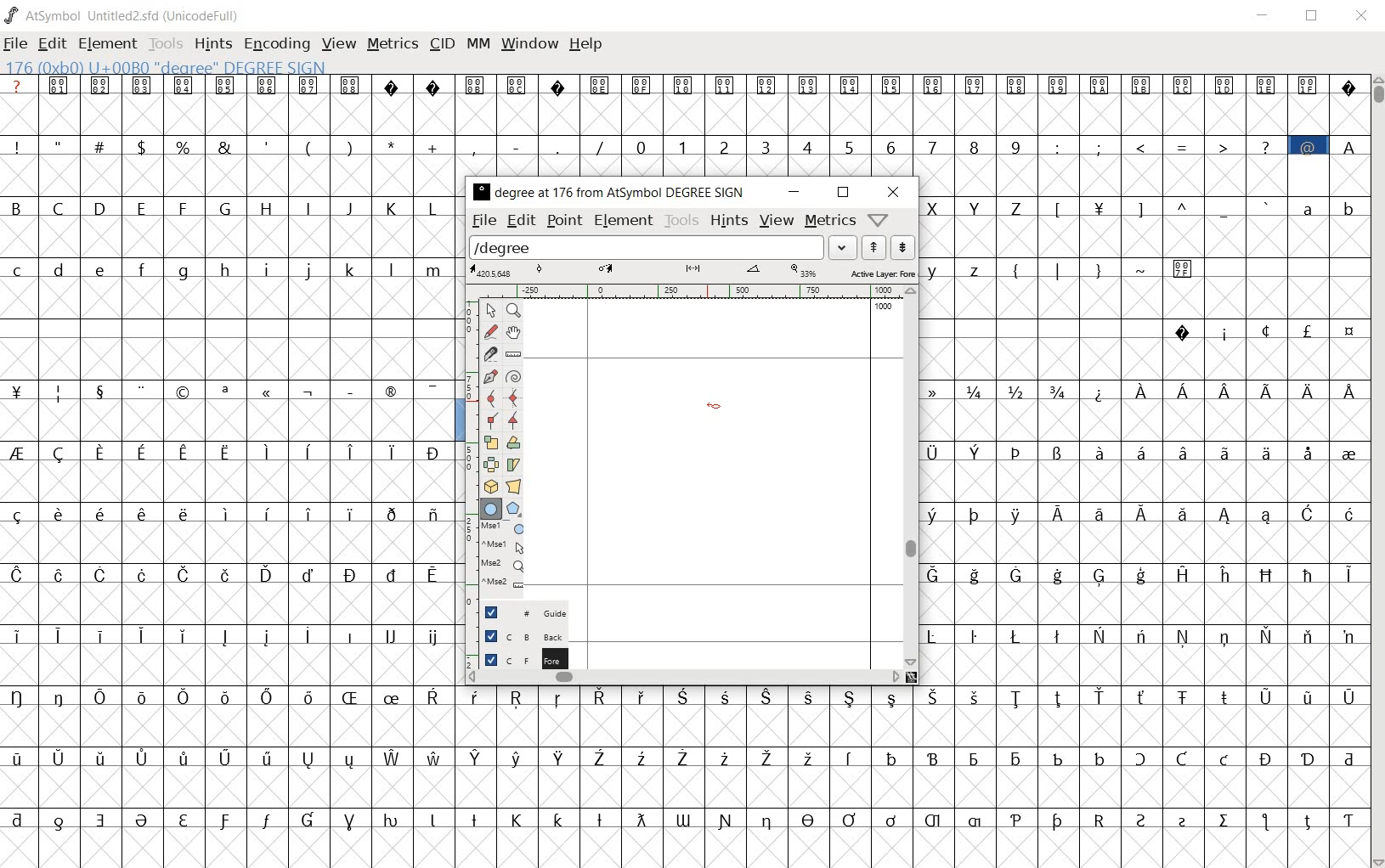 Image resolution: width=1385 pixels, height=868 pixels. What do you see at coordinates (681, 221) in the screenshot?
I see `tools` at bounding box center [681, 221].